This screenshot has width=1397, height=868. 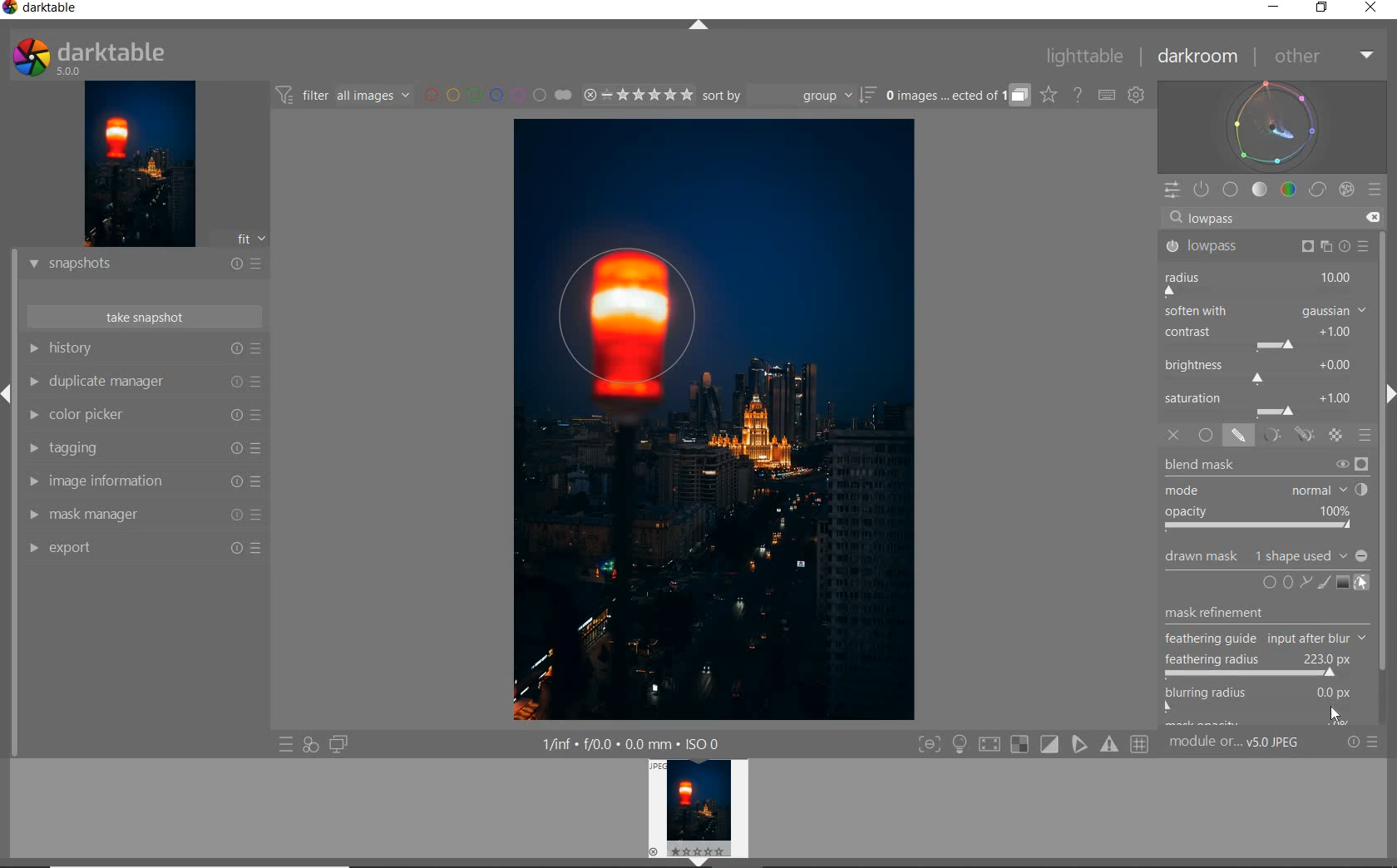 What do you see at coordinates (1259, 217) in the screenshot?
I see `Searchbar` at bounding box center [1259, 217].